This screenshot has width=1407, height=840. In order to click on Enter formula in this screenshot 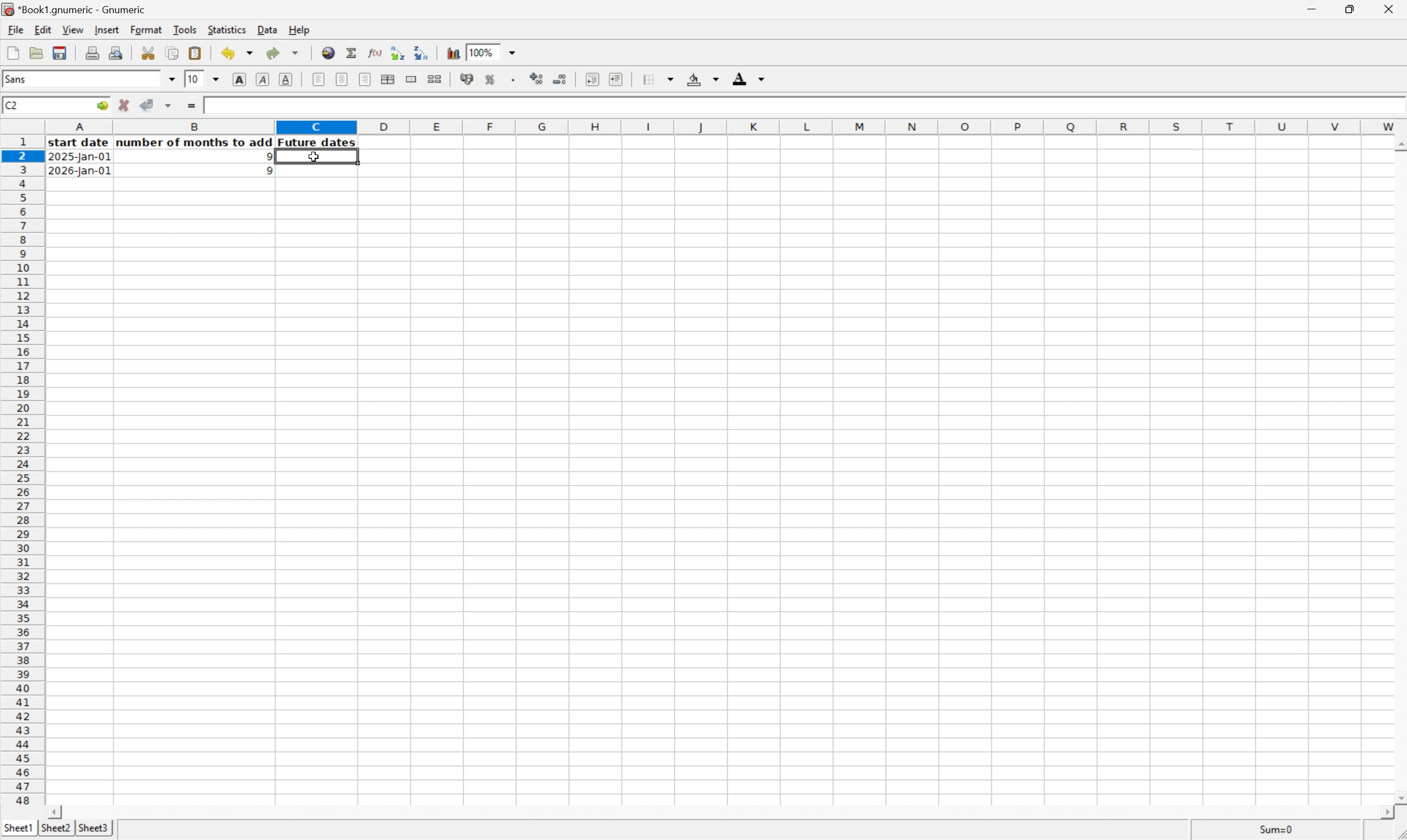, I will do `click(190, 104)`.